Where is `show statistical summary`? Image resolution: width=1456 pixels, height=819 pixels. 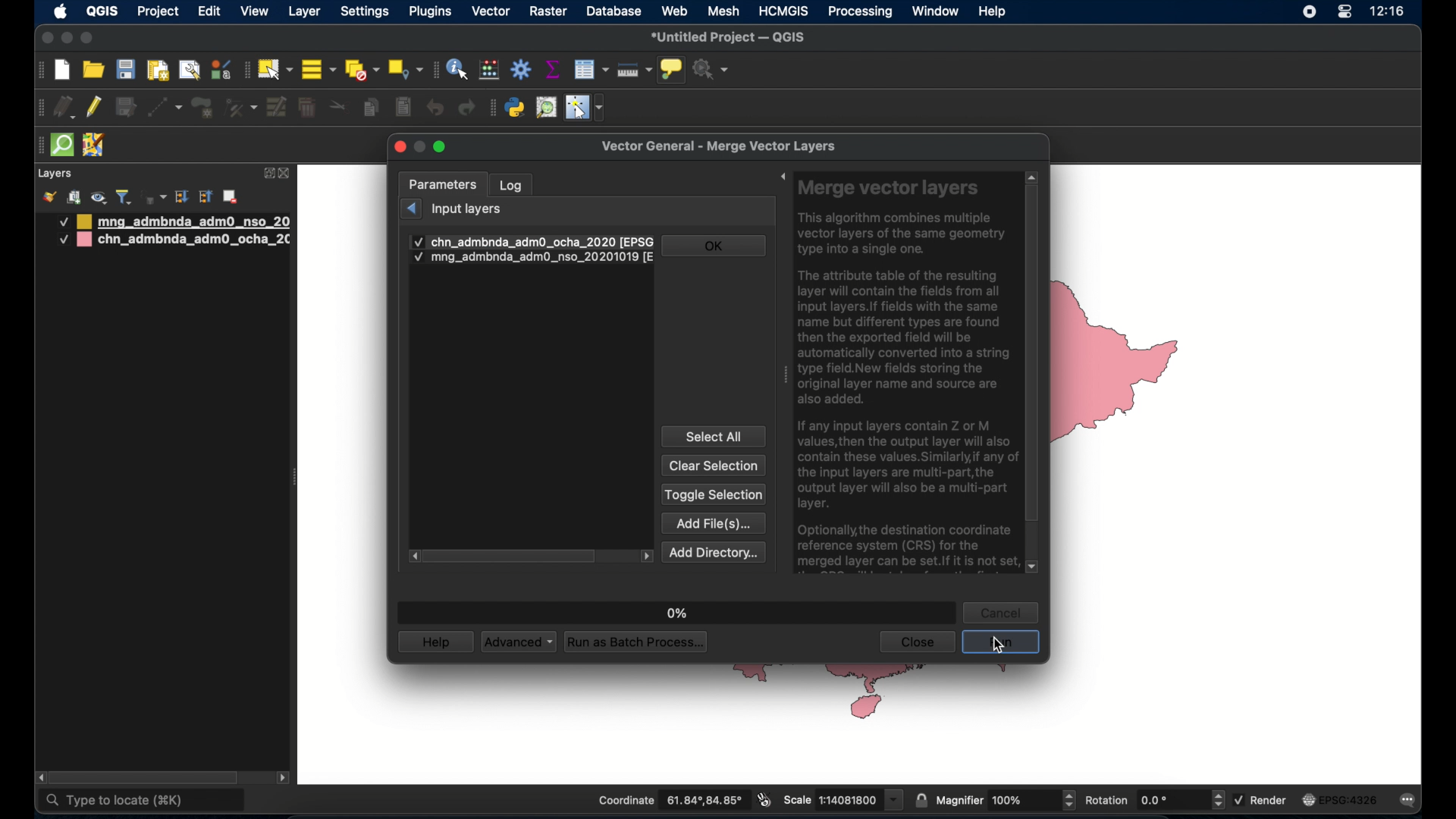
show statistical summary is located at coordinates (551, 69).